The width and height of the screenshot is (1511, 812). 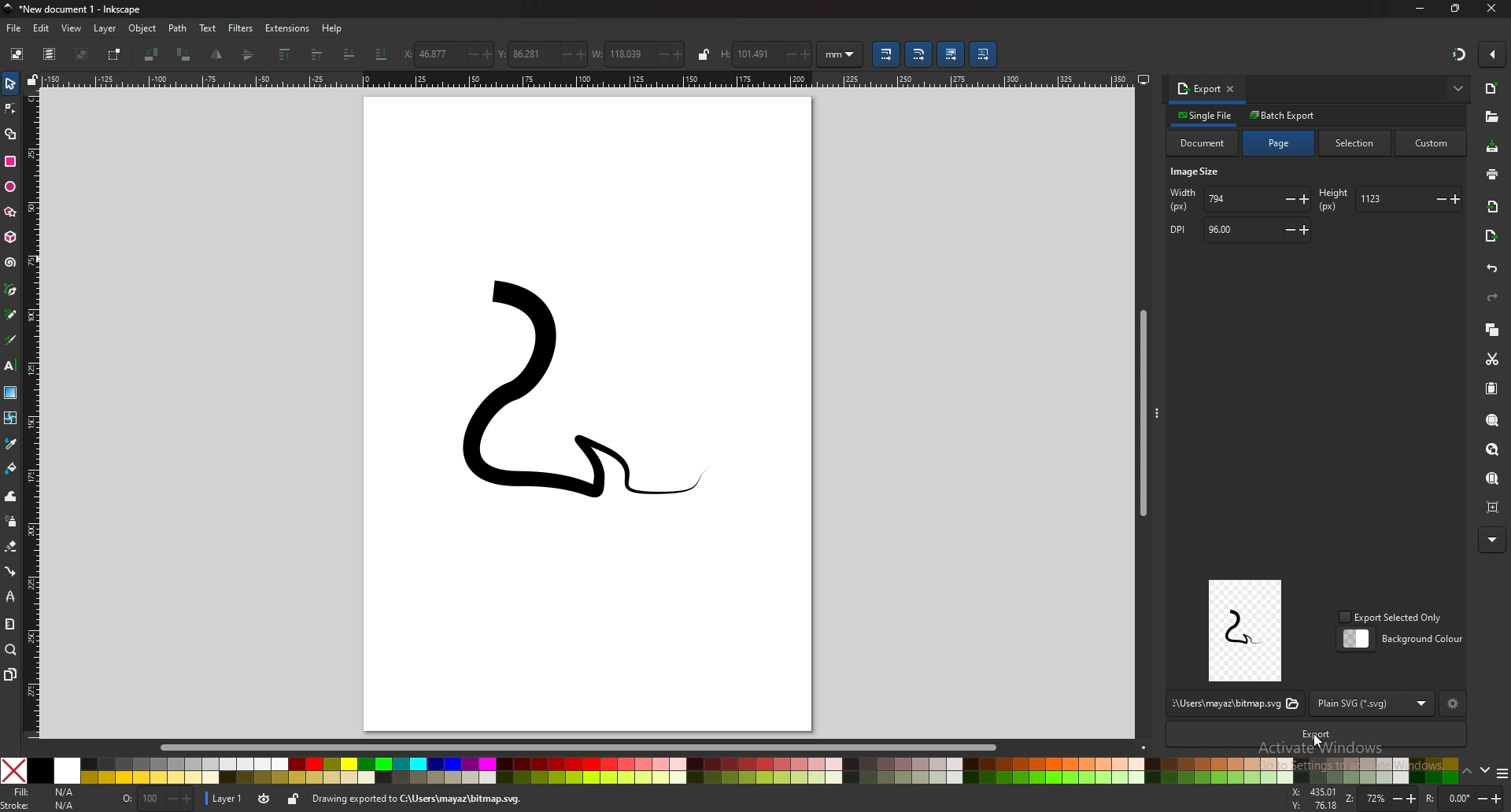 What do you see at coordinates (11, 366) in the screenshot?
I see `text` at bounding box center [11, 366].